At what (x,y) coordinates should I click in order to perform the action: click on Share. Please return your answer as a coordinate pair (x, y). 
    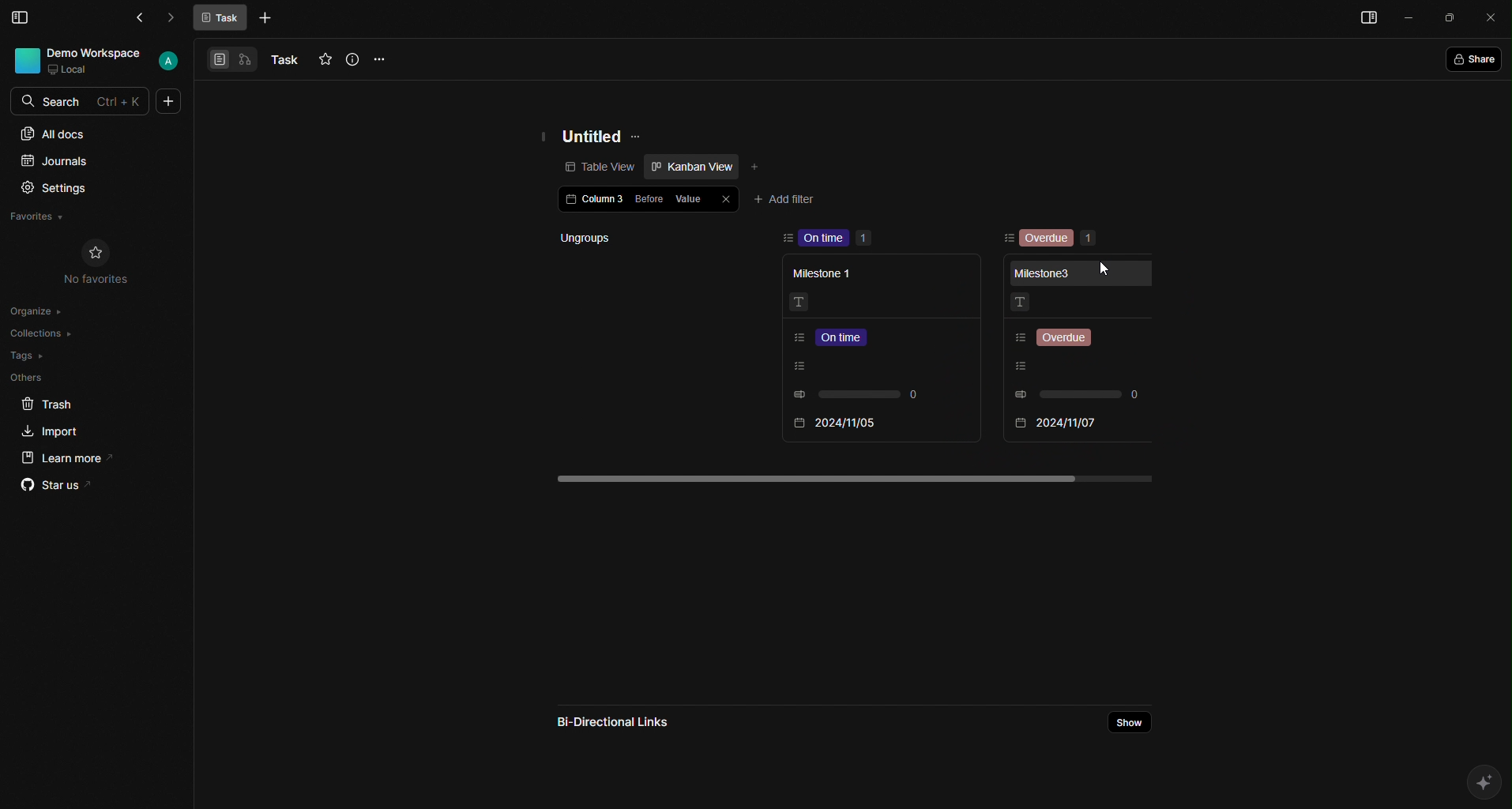
    Looking at the image, I should click on (1125, 721).